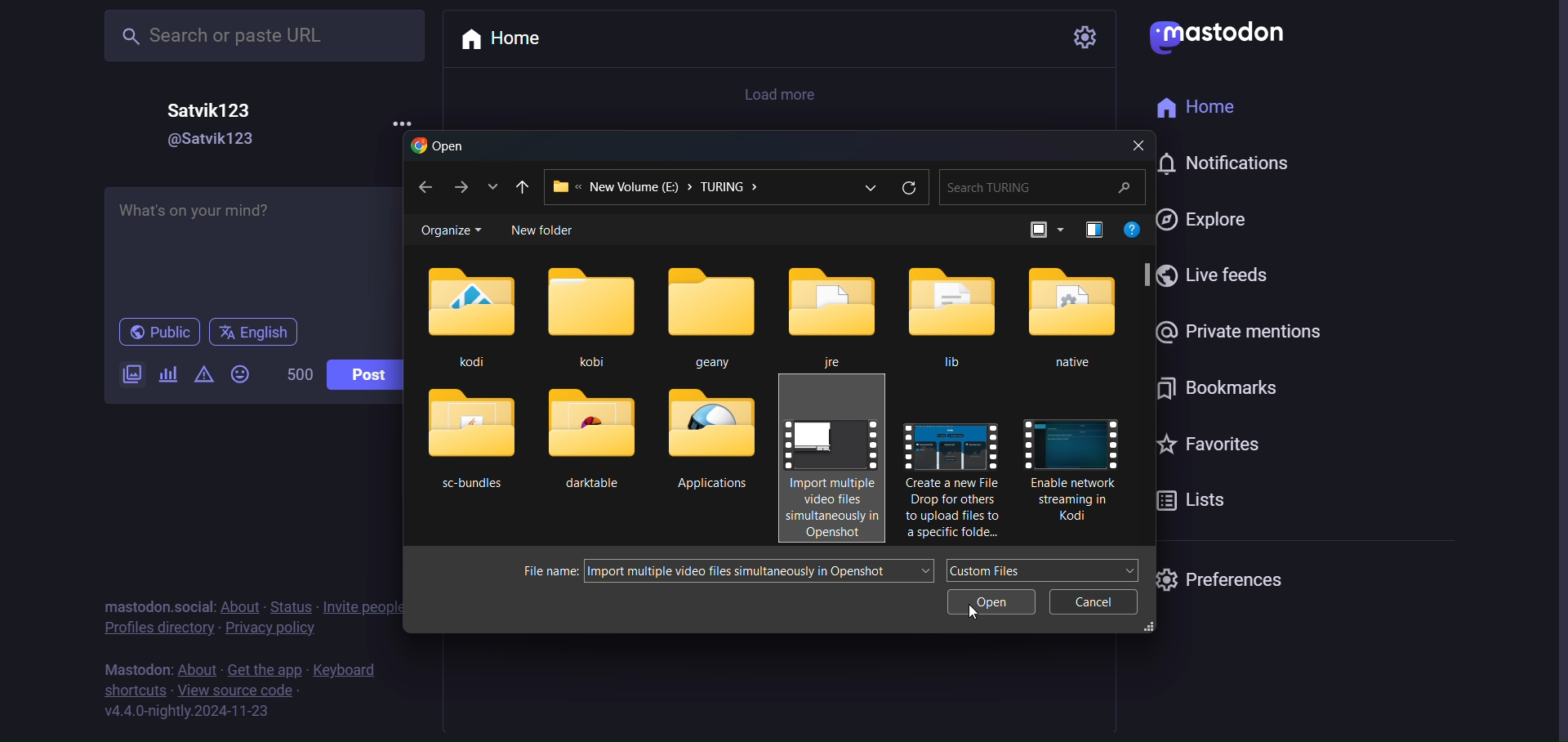 The width and height of the screenshot is (1568, 742). What do you see at coordinates (976, 610) in the screenshot?
I see `cursor` at bounding box center [976, 610].